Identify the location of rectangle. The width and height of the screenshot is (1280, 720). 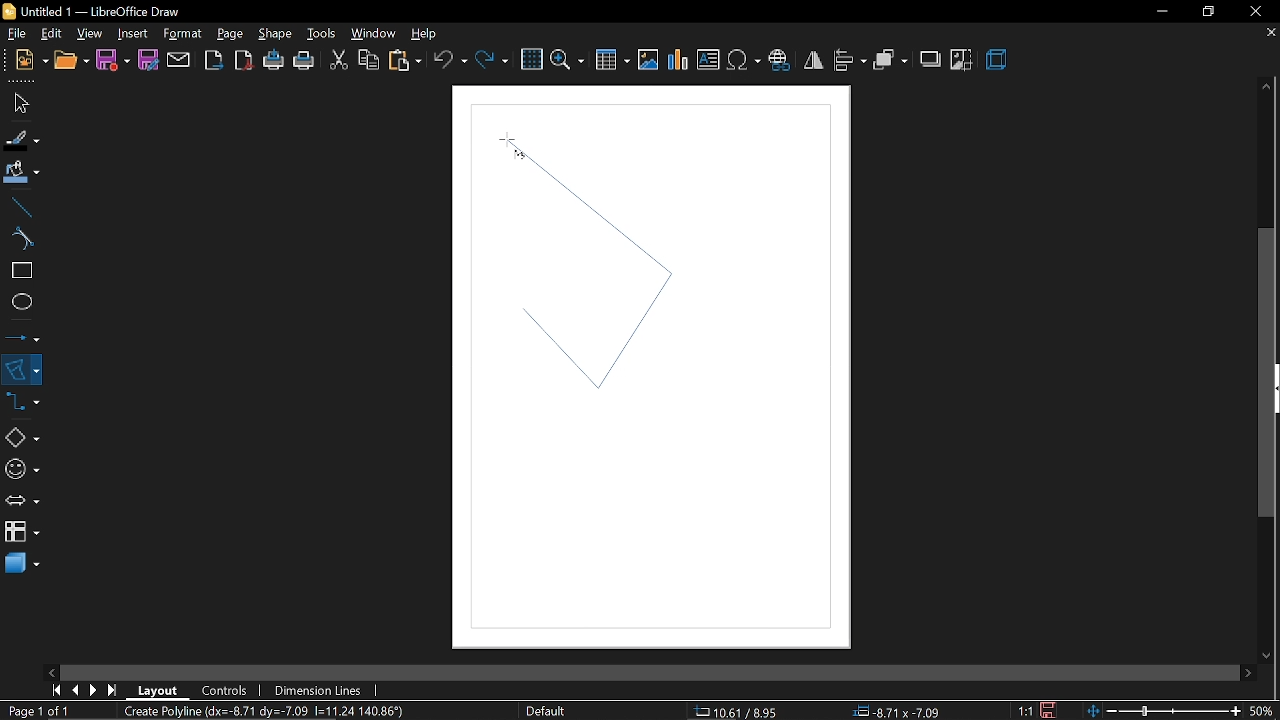
(19, 272).